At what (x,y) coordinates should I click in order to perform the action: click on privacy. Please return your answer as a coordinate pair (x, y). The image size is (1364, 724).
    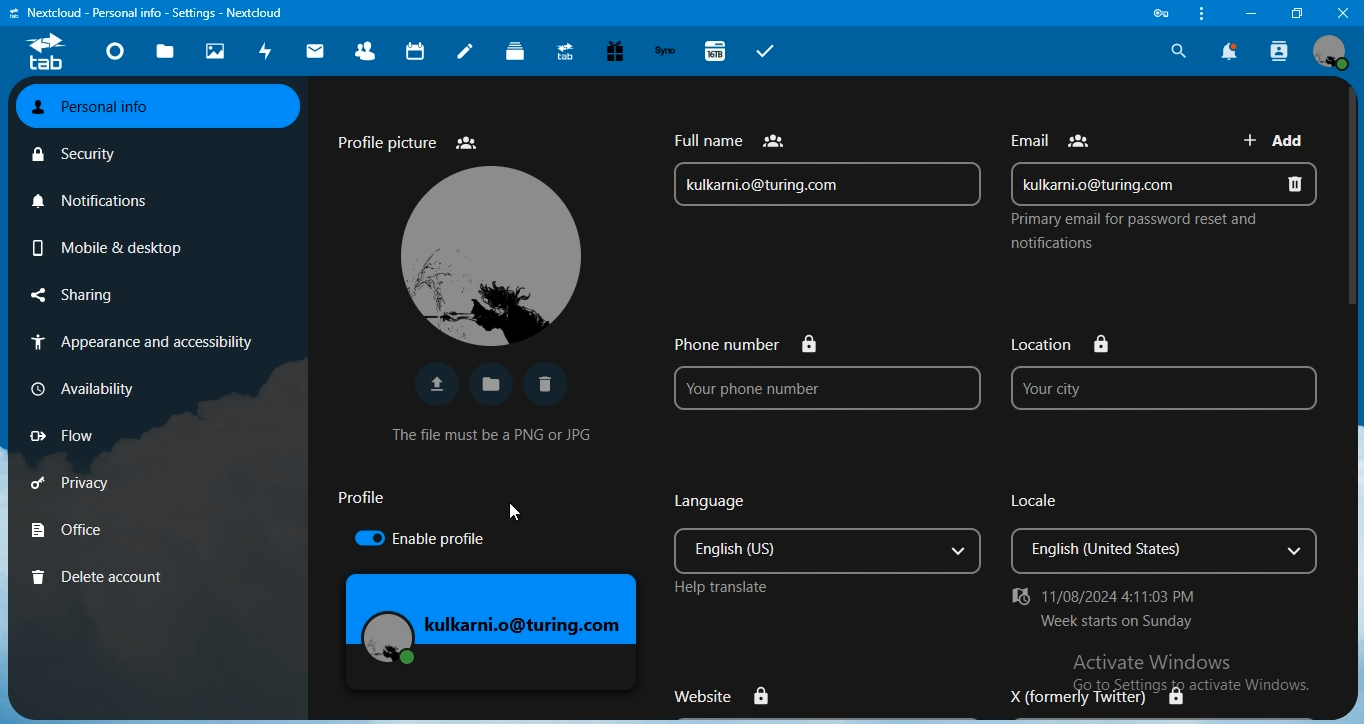
    Looking at the image, I should click on (76, 484).